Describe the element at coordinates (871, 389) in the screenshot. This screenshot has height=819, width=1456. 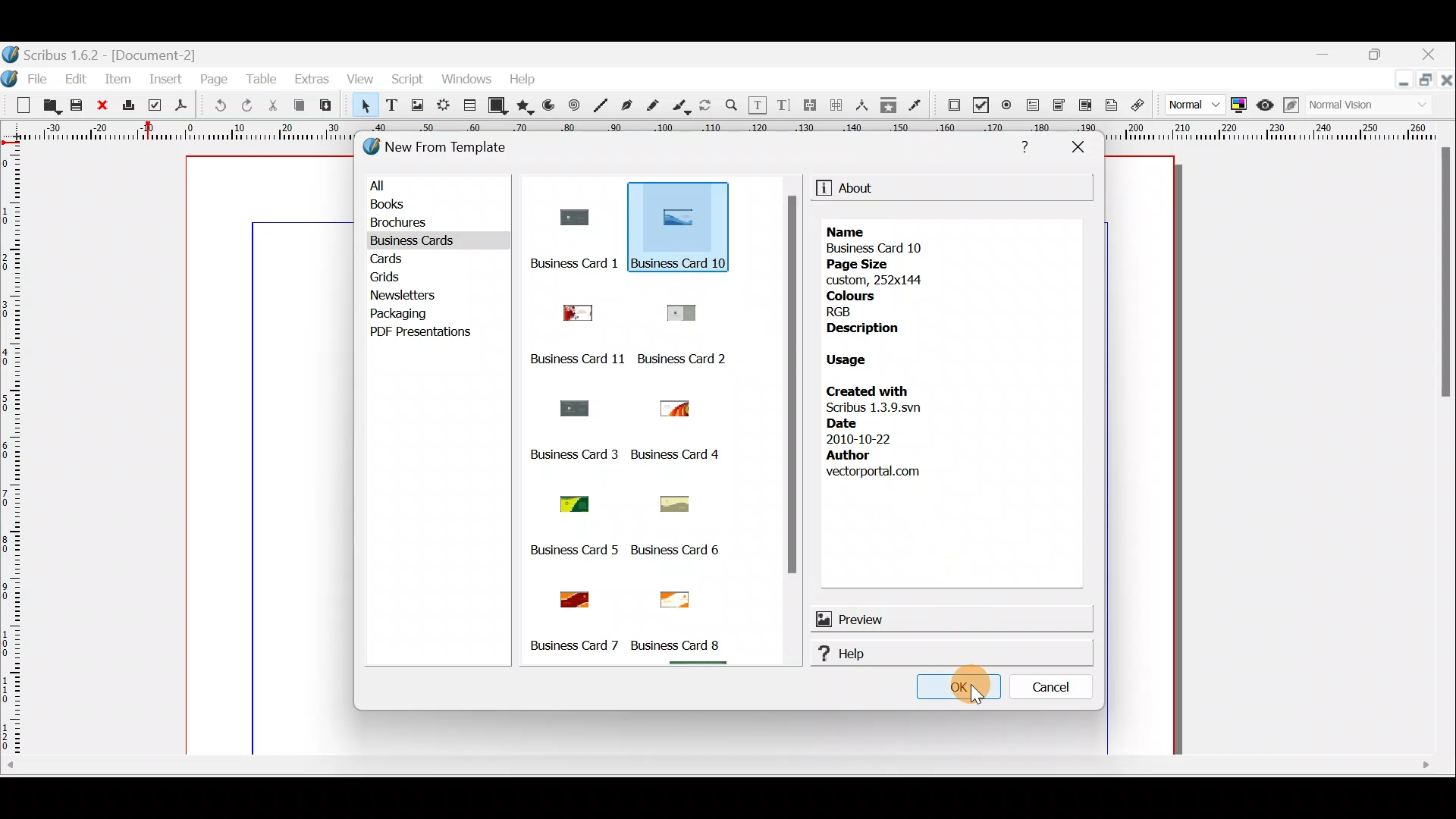
I see `Created with` at that location.